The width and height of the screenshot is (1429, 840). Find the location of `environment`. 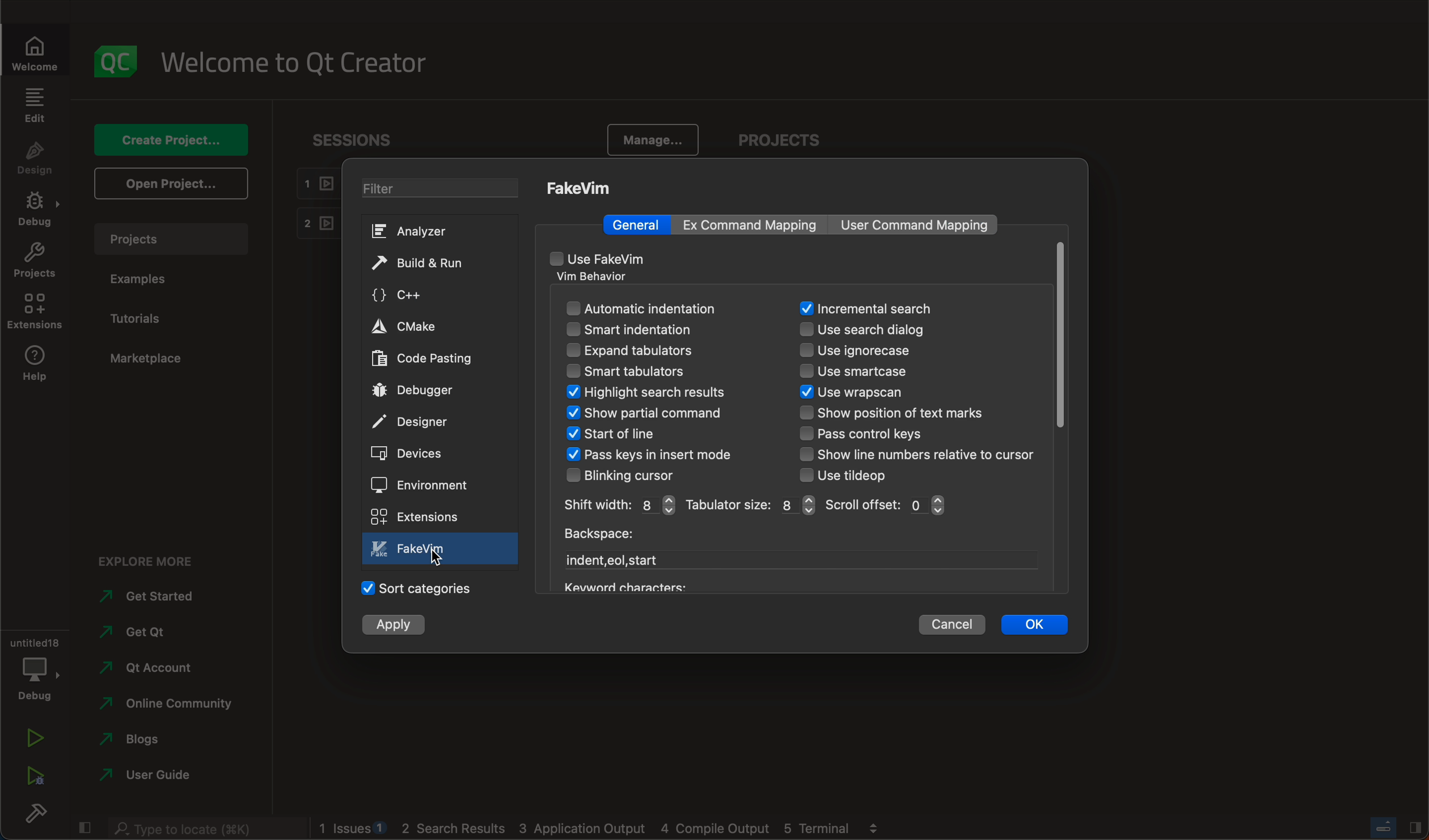

environment is located at coordinates (426, 485).